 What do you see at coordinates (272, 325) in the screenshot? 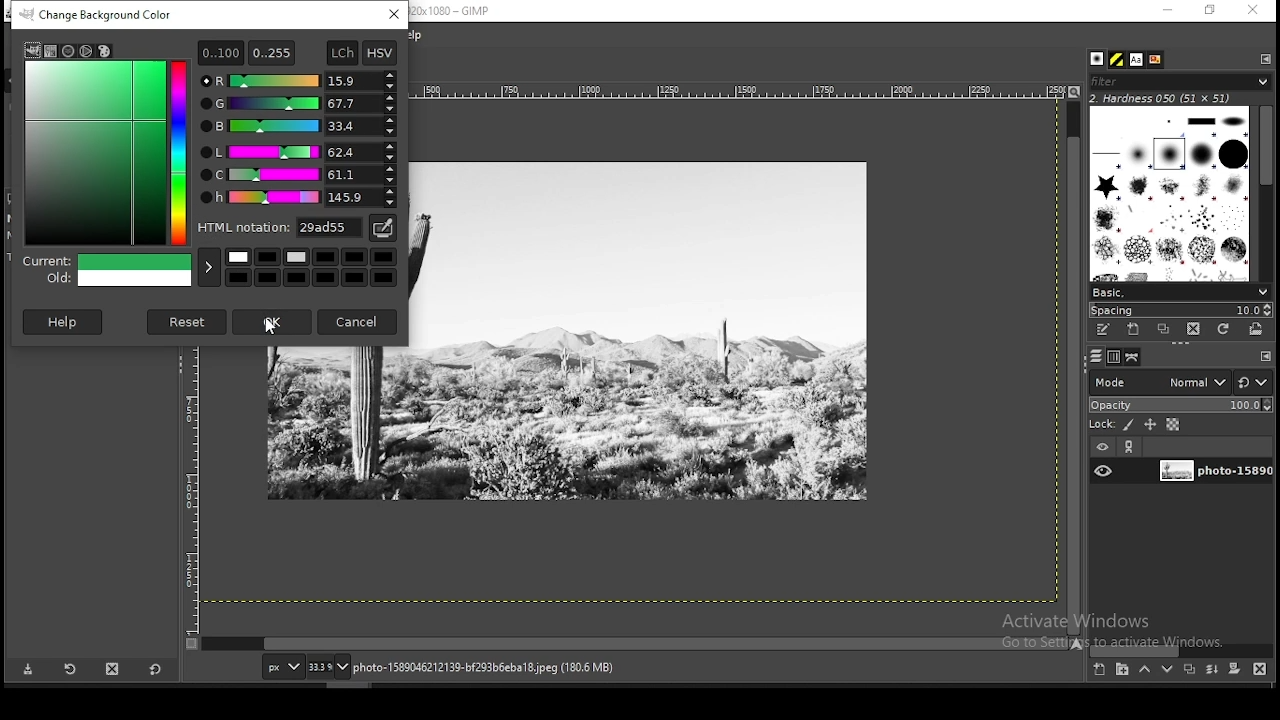
I see `ok` at bounding box center [272, 325].